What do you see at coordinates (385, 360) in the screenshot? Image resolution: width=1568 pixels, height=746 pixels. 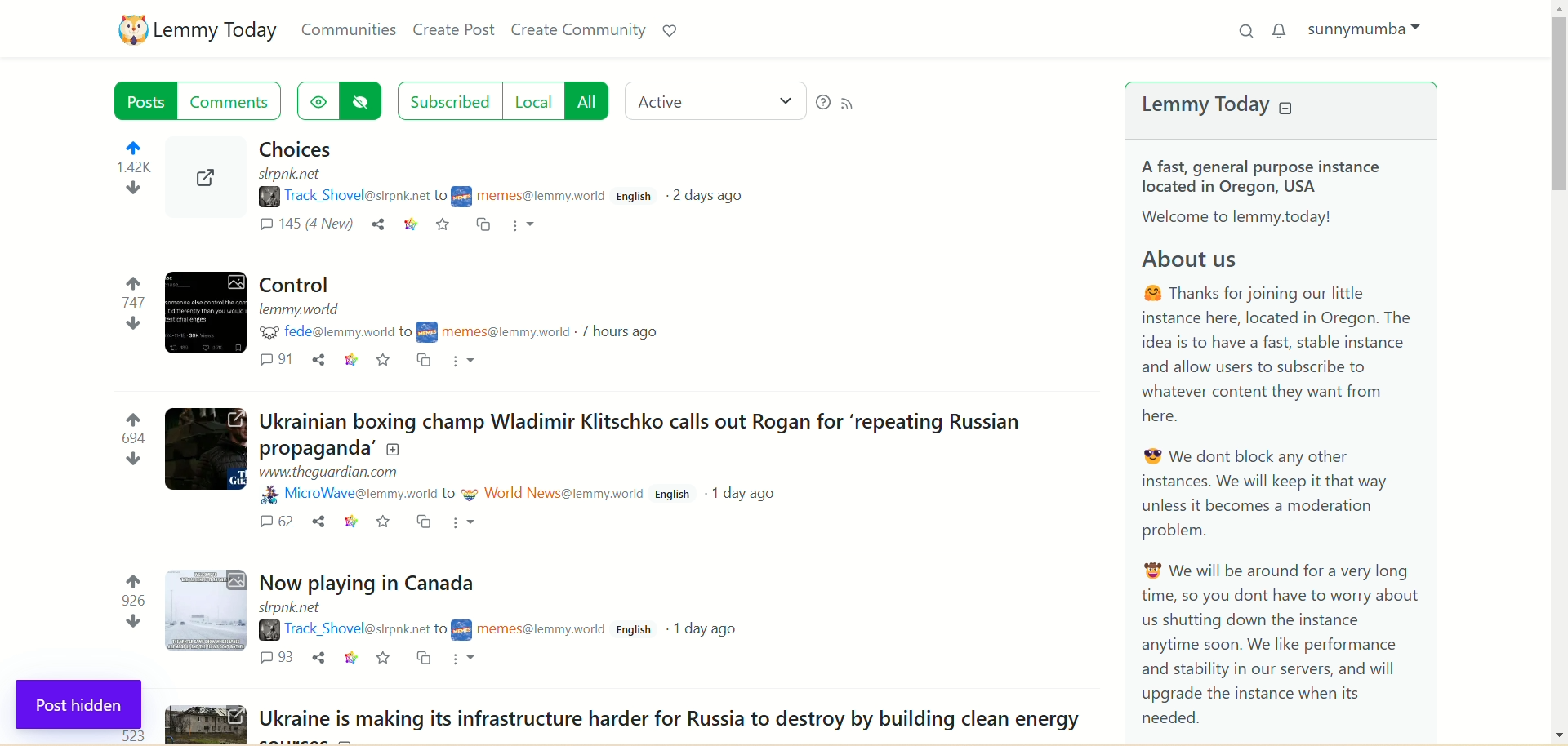 I see `favorite` at bounding box center [385, 360].